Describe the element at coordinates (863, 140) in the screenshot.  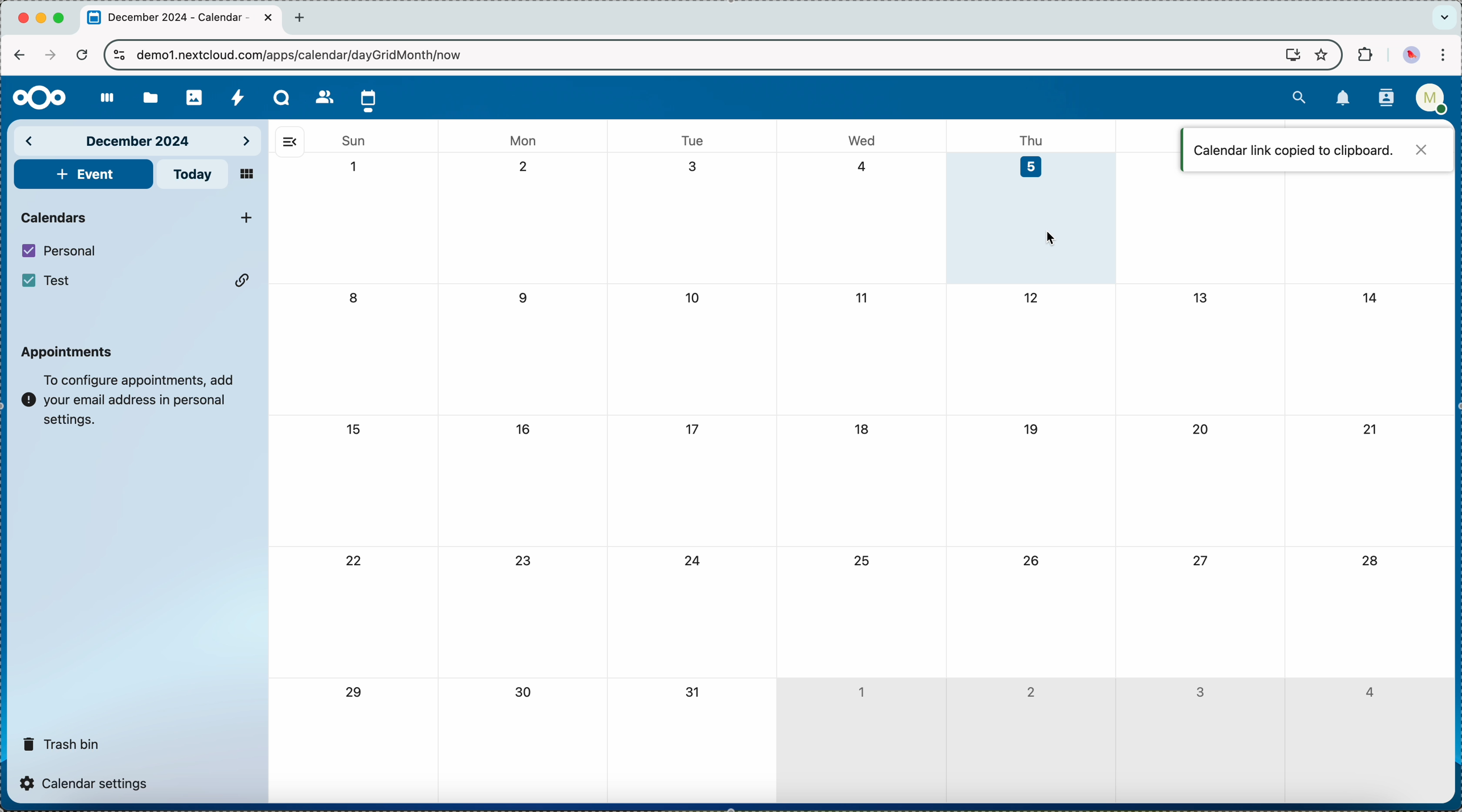
I see `wed` at that location.